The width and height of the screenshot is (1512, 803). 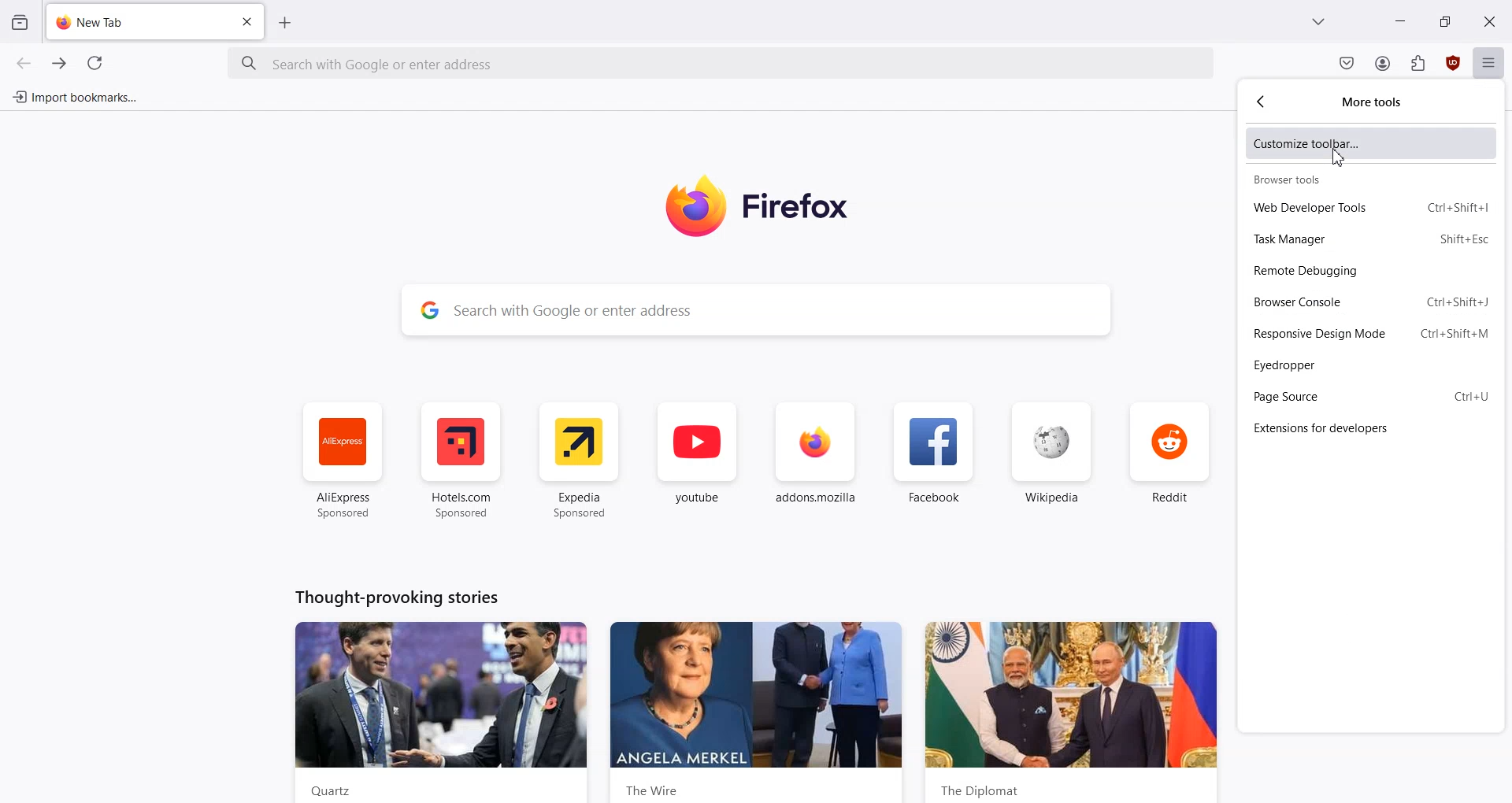 I want to click on Facebook, so click(x=935, y=461).